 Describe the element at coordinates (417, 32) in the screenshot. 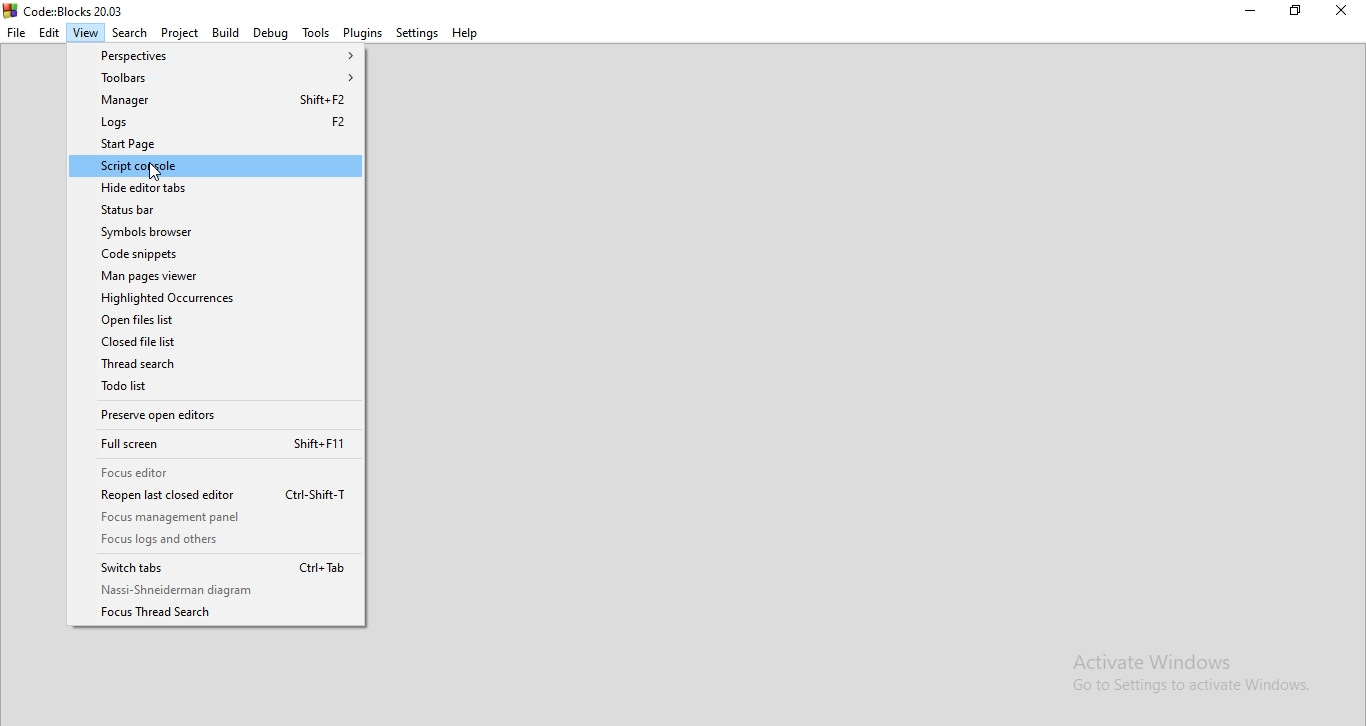

I see `Settings ` at that location.